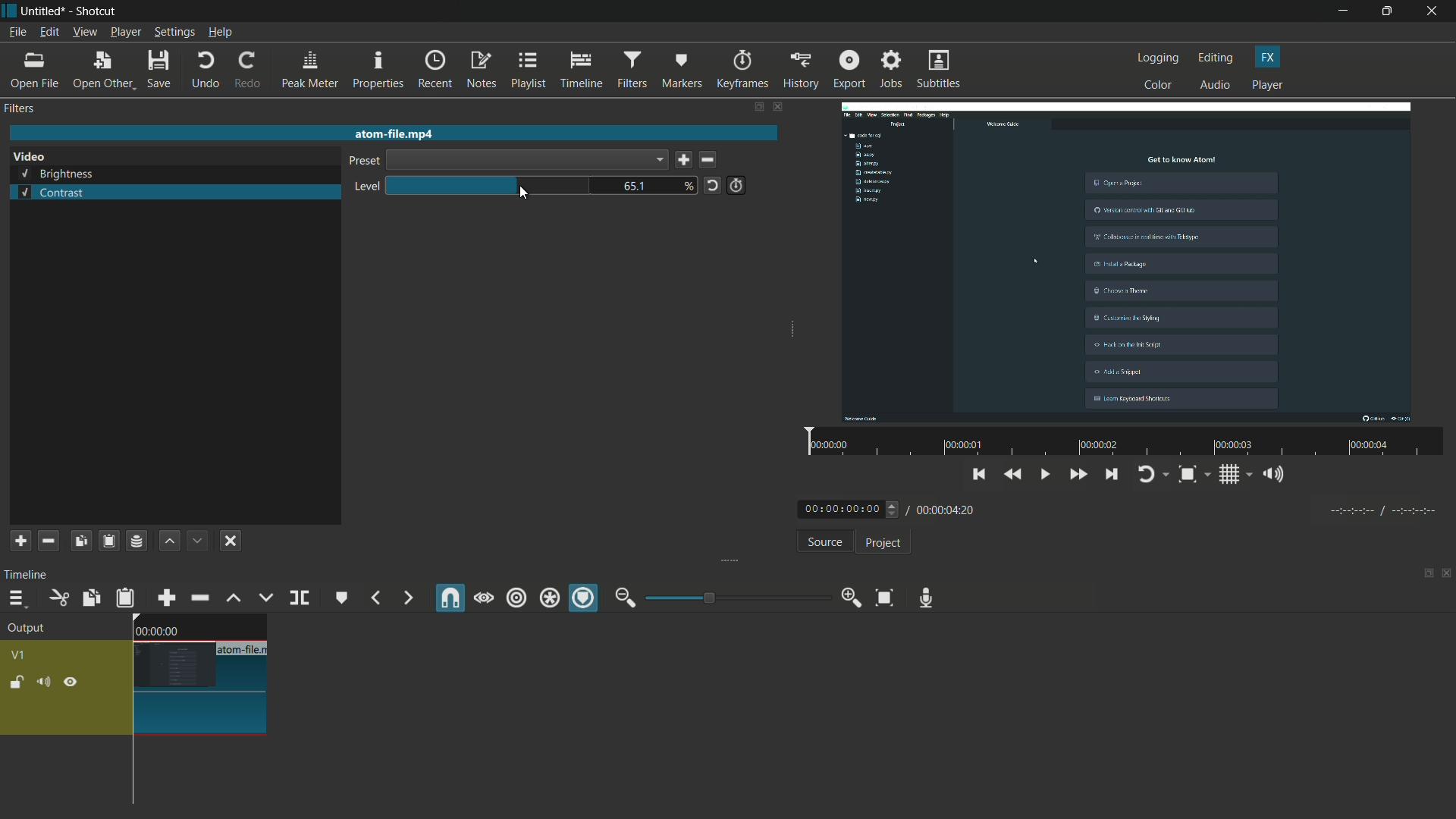 The image size is (1456, 819). What do you see at coordinates (689, 185) in the screenshot?
I see `%` at bounding box center [689, 185].